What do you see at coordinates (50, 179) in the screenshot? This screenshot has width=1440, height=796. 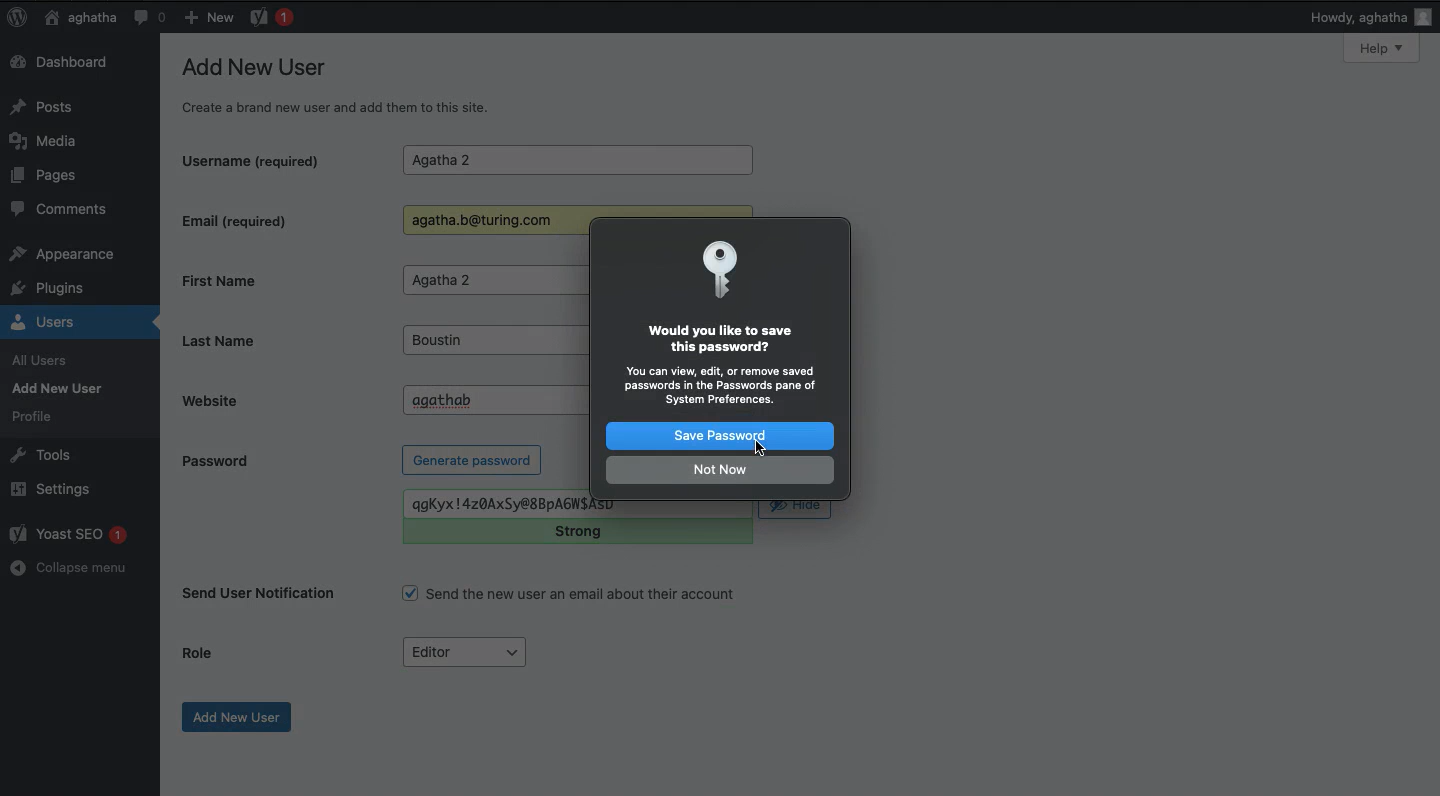 I see `Pages` at bounding box center [50, 179].